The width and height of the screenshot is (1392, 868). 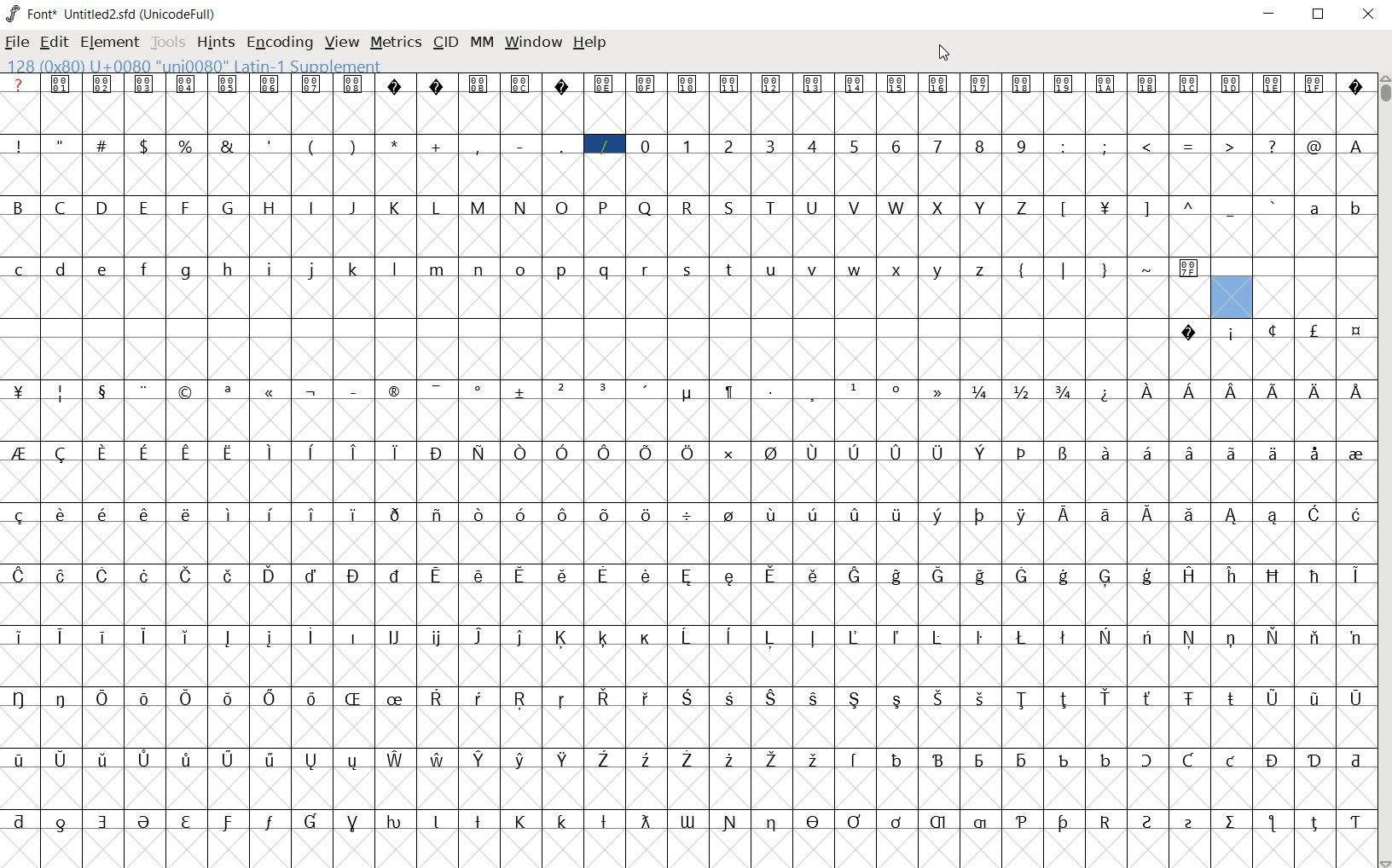 I want to click on glyph, so click(x=1147, y=822).